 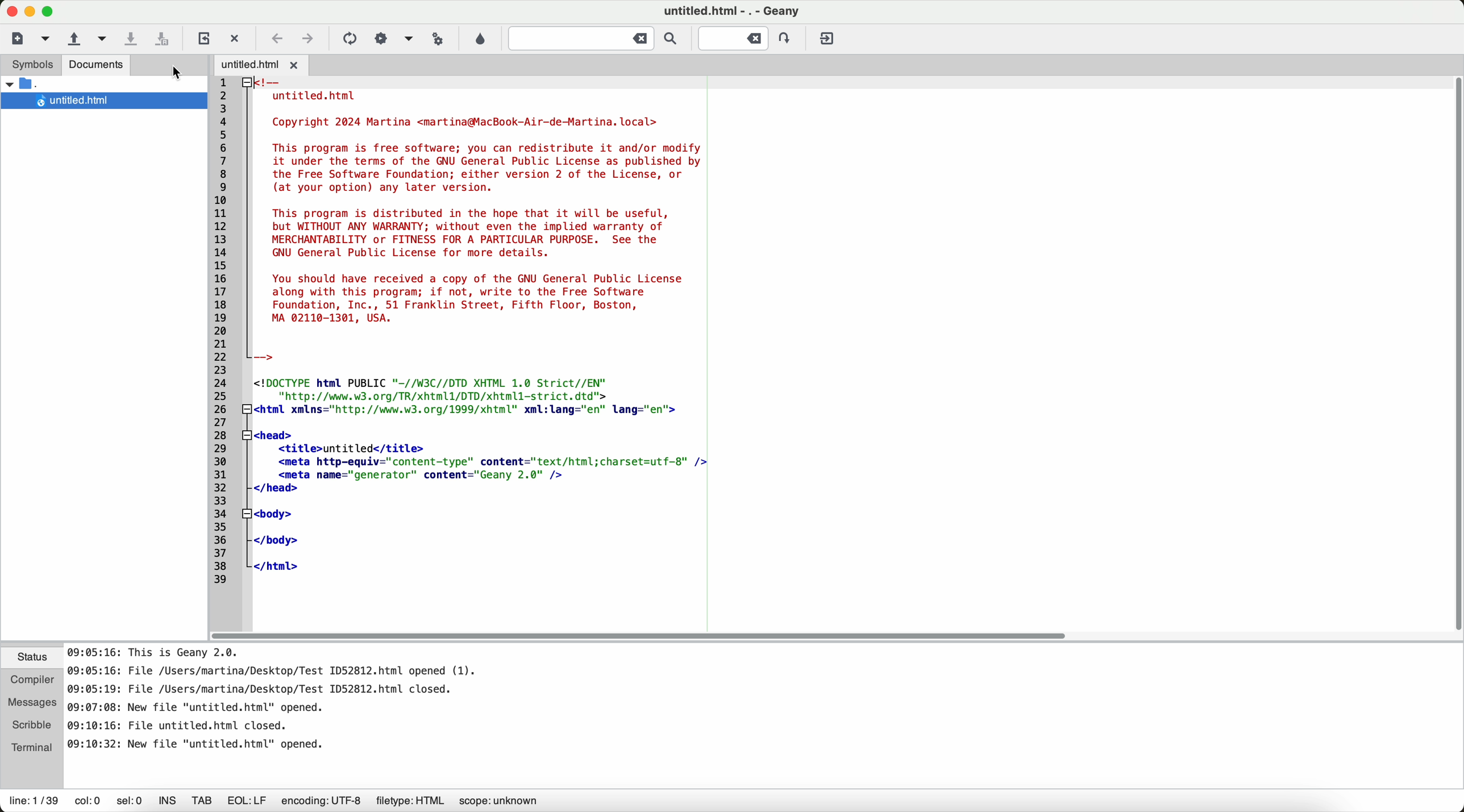 What do you see at coordinates (748, 39) in the screenshot?
I see `jump to the entered line numbered` at bounding box center [748, 39].